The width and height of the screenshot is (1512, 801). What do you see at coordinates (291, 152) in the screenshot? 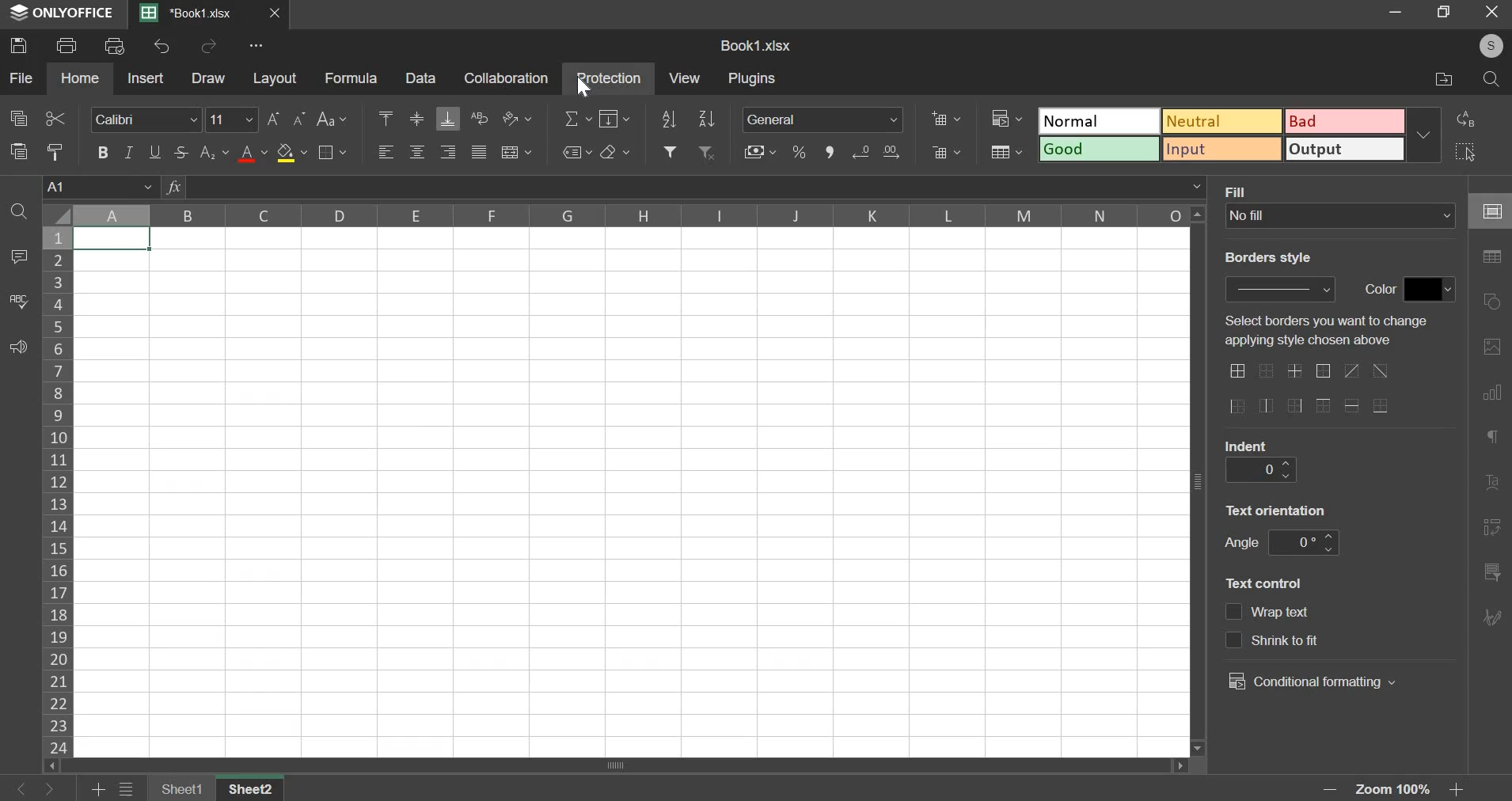
I see `fill color` at bounding box center [291, 152].